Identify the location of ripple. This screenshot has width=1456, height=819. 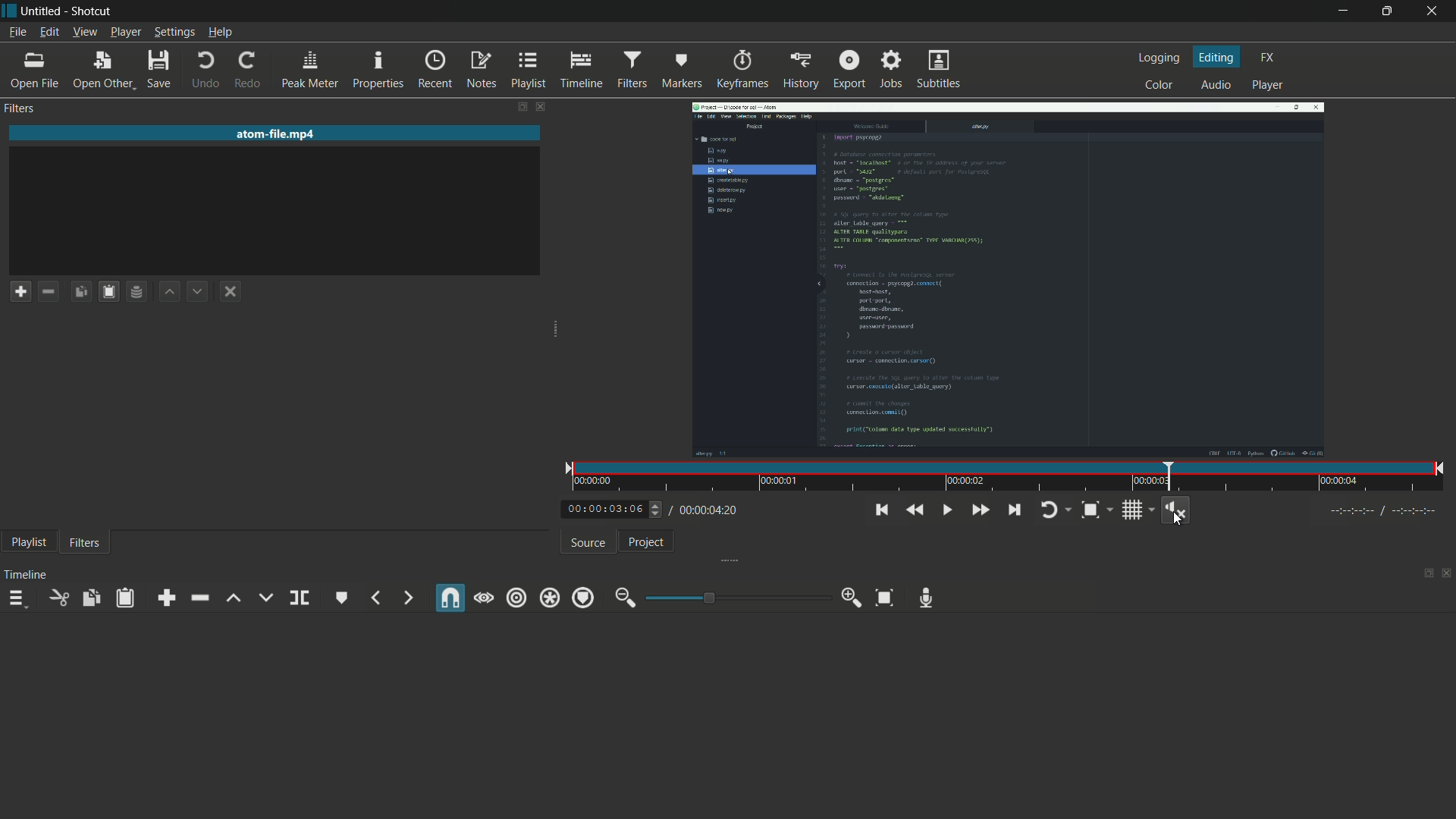
(517, 599).